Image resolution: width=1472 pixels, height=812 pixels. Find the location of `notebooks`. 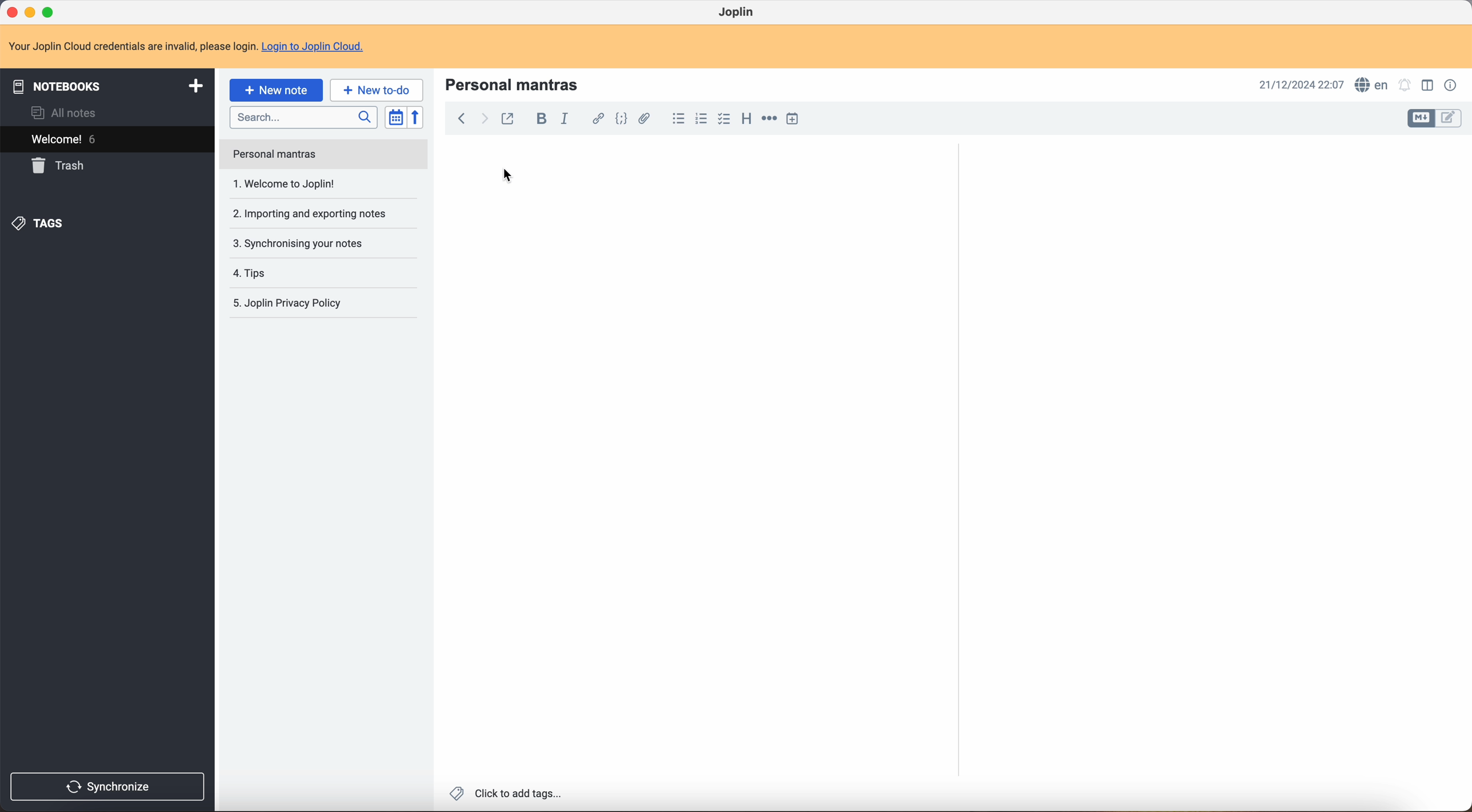

notebooks is located at coordinates (107, 85).